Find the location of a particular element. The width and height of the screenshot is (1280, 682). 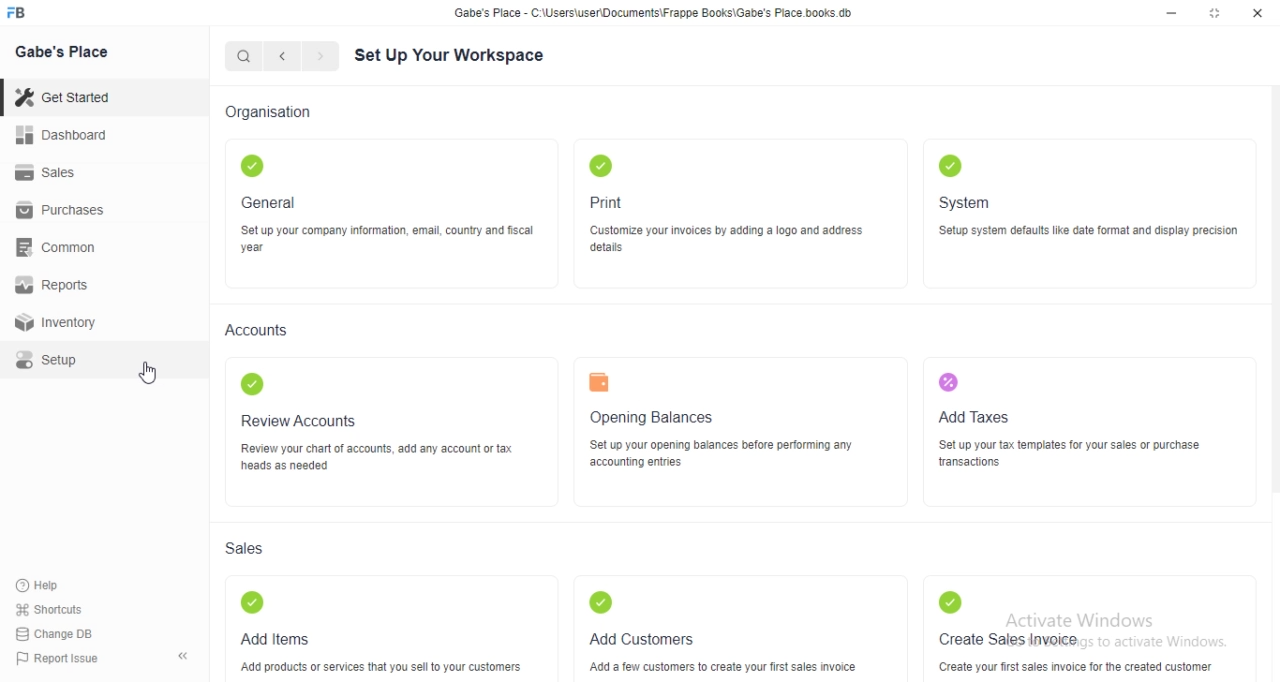

Accounts is located at coordinates (256, 333).